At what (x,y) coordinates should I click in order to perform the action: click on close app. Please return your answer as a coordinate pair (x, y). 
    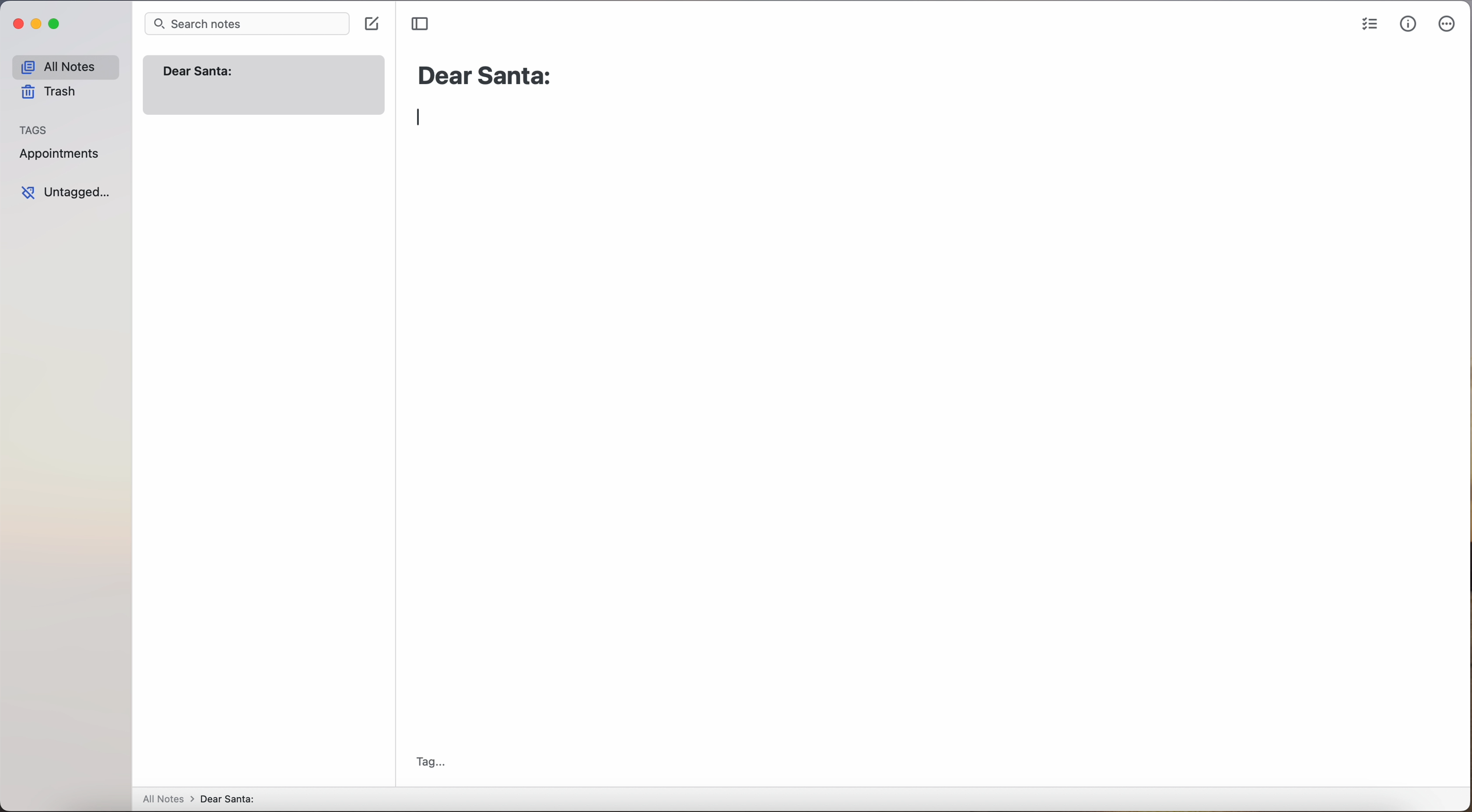
    Looking at the image, I should click on (17, 26).